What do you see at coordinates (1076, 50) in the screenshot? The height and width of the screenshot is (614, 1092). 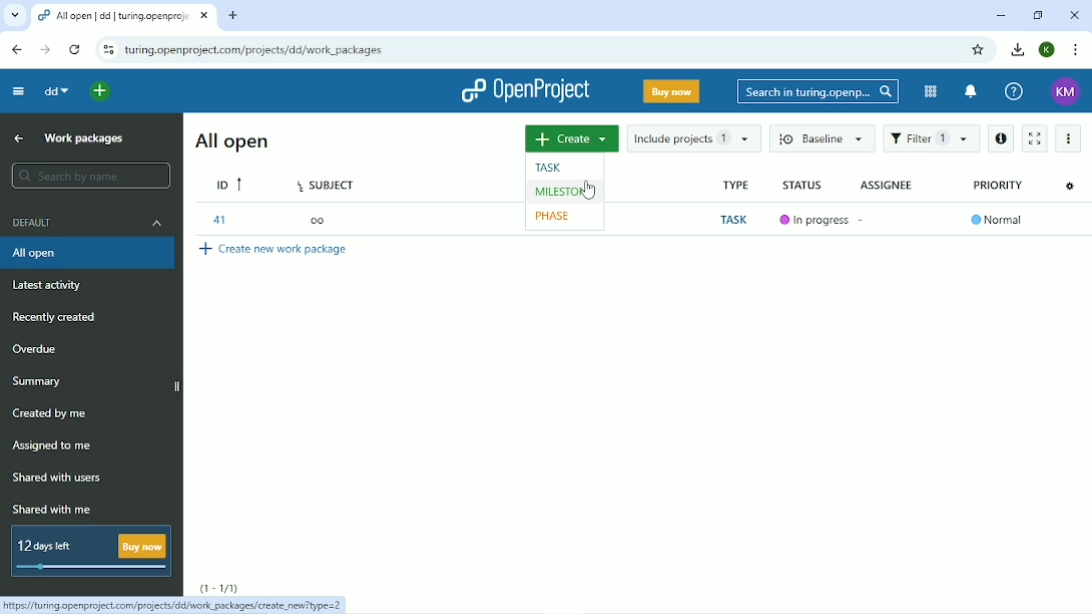 I see `Customize and control google chrome` at bounding box center [1076, 50].